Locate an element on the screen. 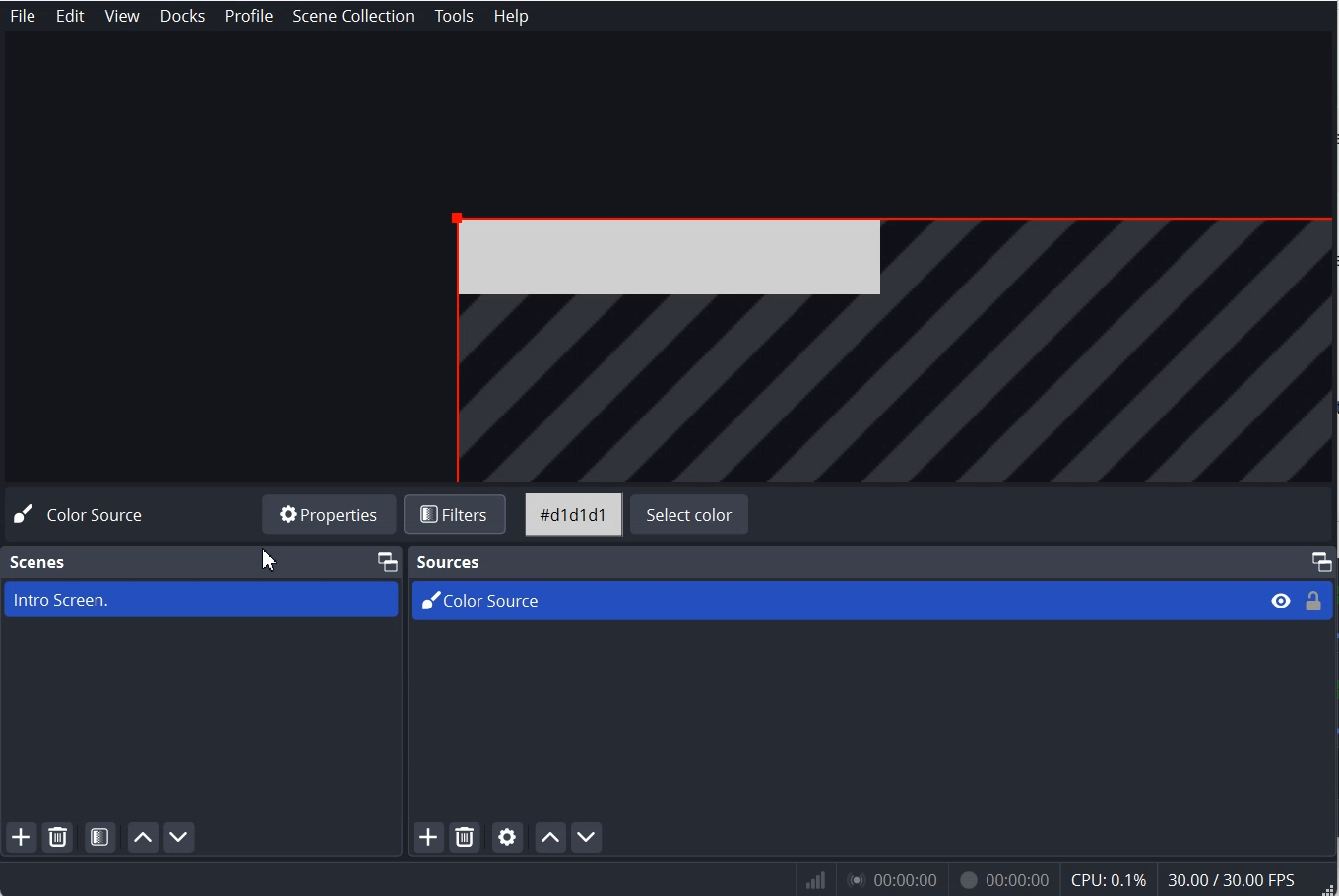 The image size is (1339, 896). WIfi is located at coordinates (817, 880).